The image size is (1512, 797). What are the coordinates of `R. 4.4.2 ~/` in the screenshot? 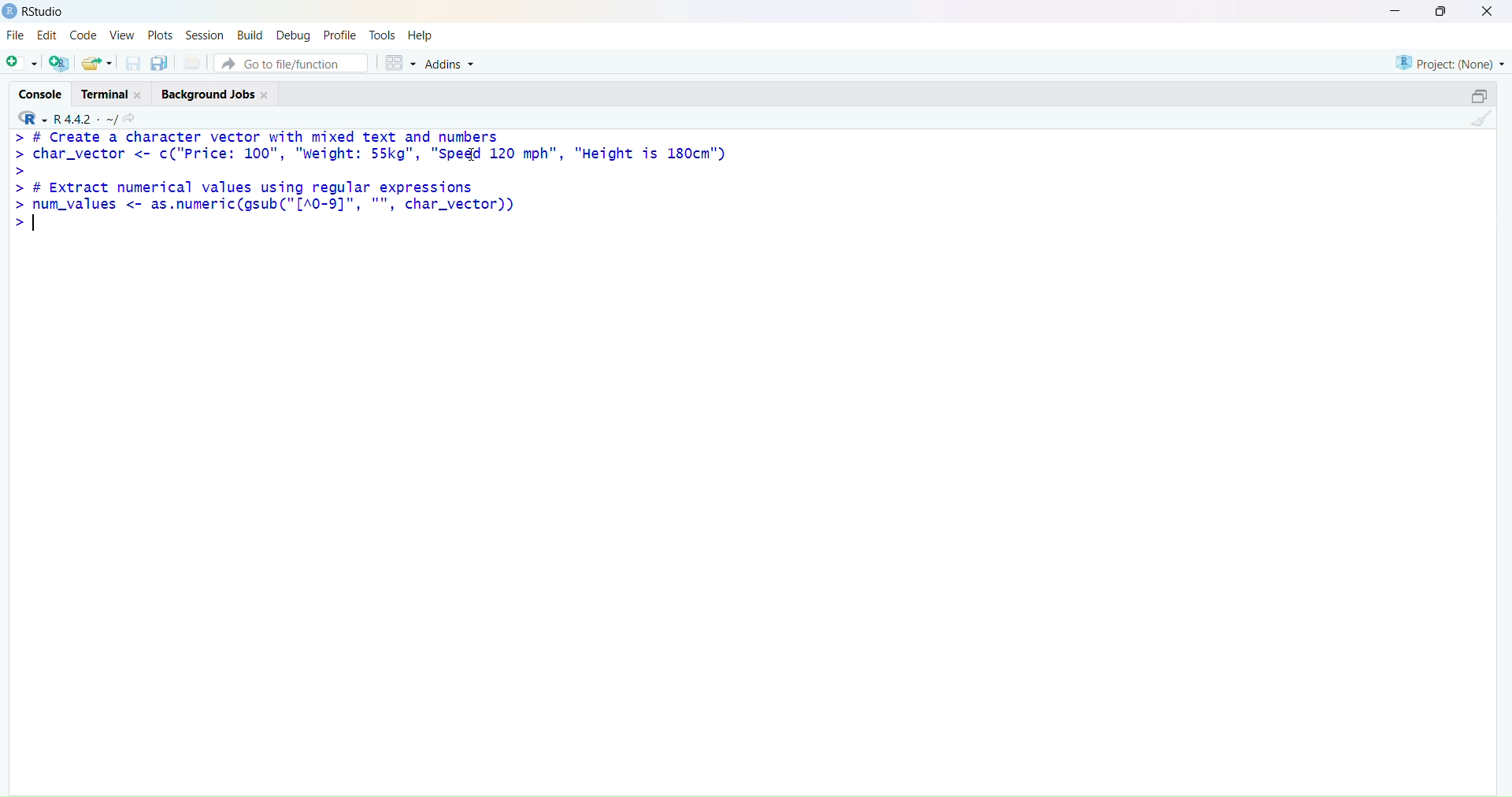 It's located at (84, 120).